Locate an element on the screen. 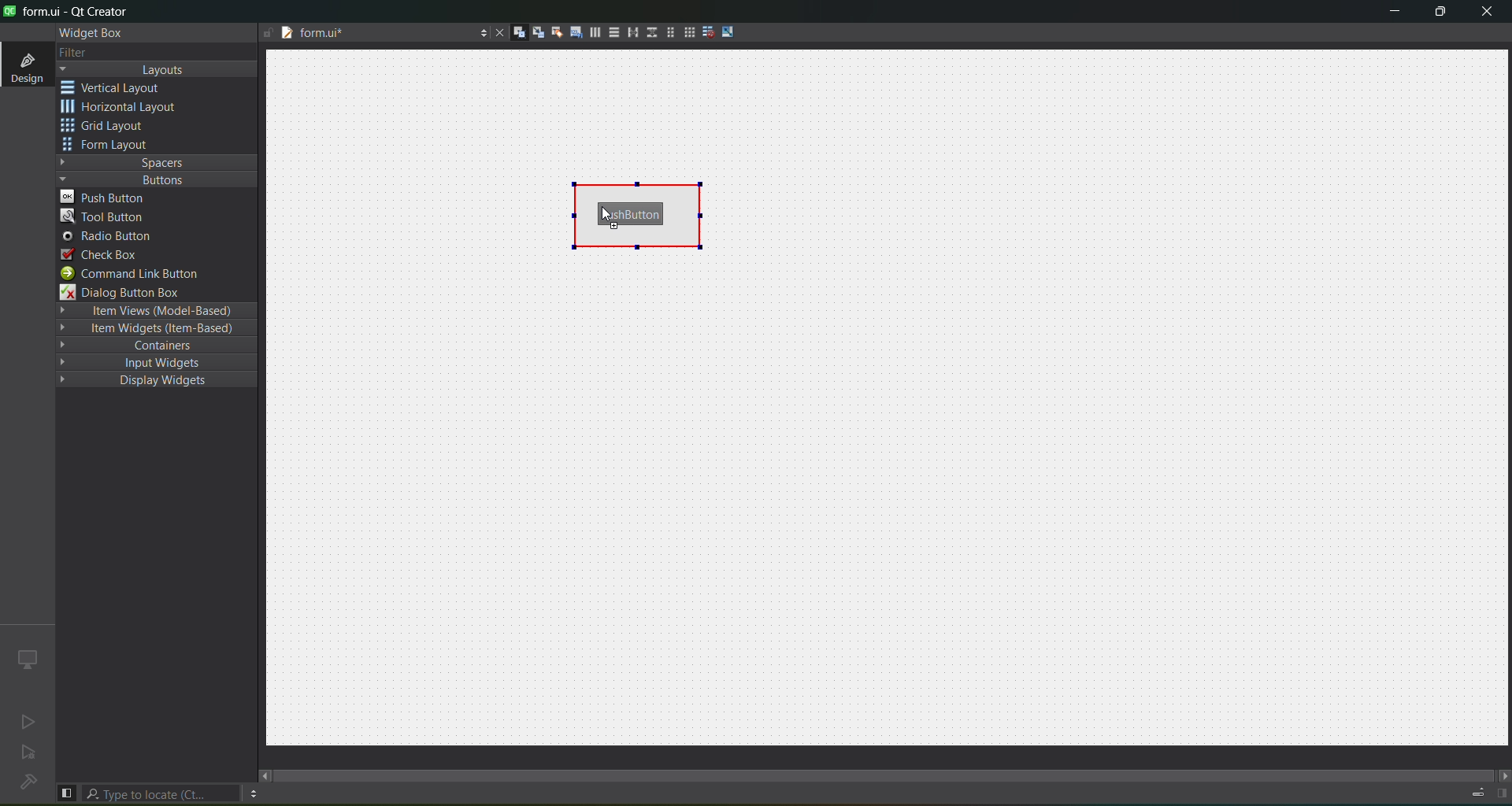 This screenshot has height=806, width=1512. vertical layout is located at coordinates (123, 87).